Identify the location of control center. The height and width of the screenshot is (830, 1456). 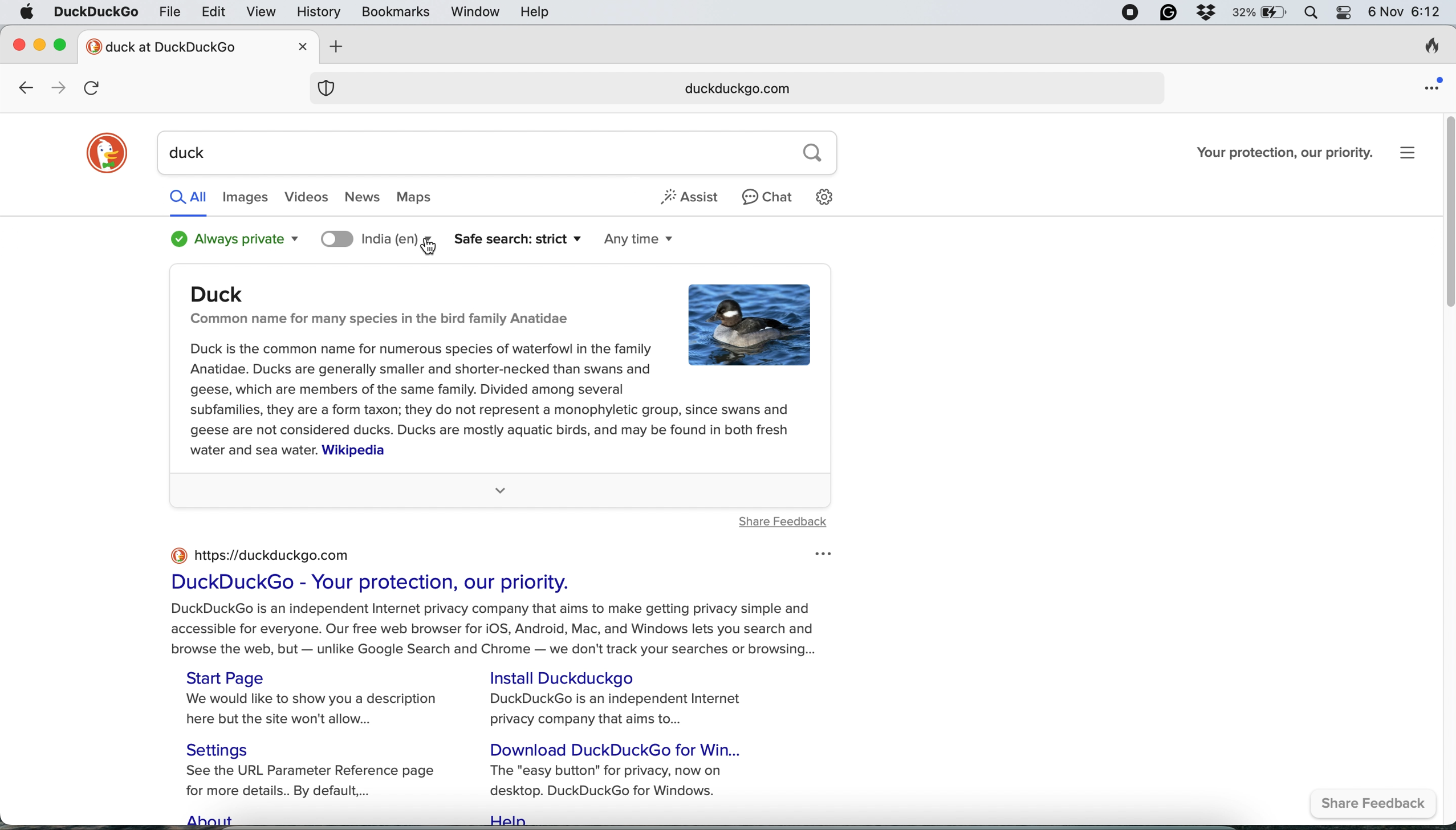
(1344, 14).